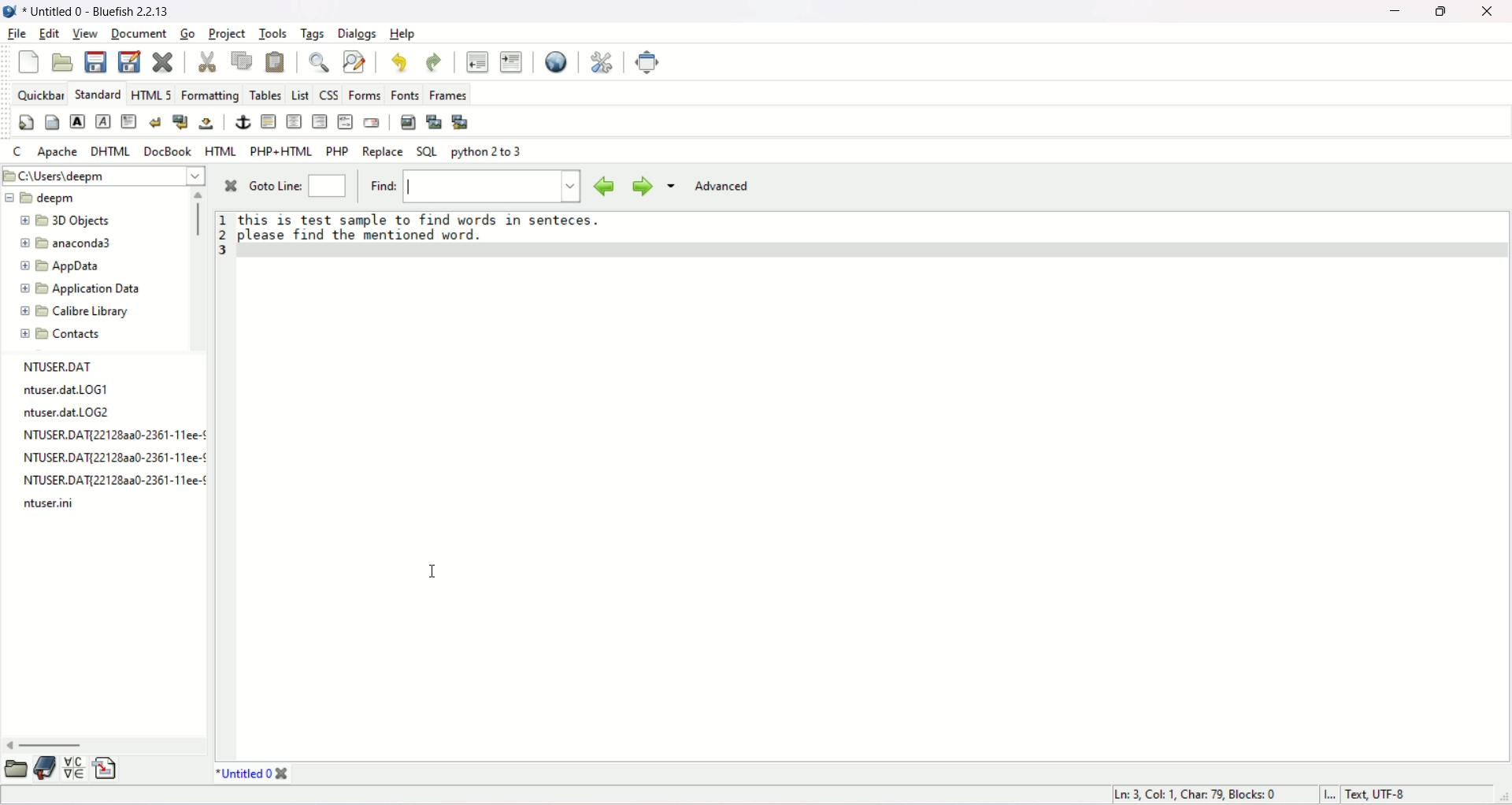 Image resolution: width=1512 pixels, height=805 pixels. What do you see at coordinates (673, 189) in the screenshot?
I see `more options` at bounding box center [673, 189].